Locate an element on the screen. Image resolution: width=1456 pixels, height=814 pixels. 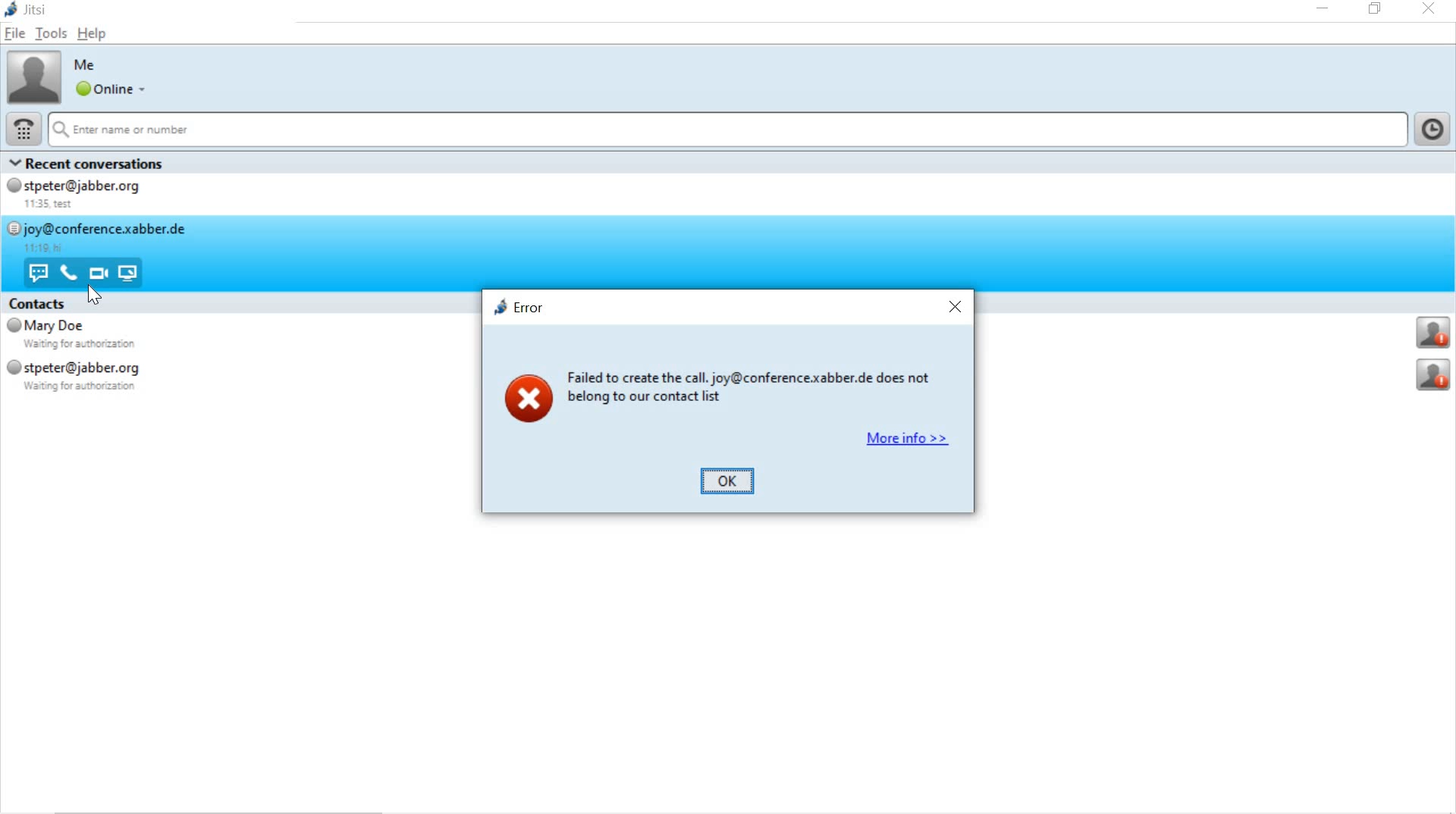
dial pad is located at coordinates (20, 130).